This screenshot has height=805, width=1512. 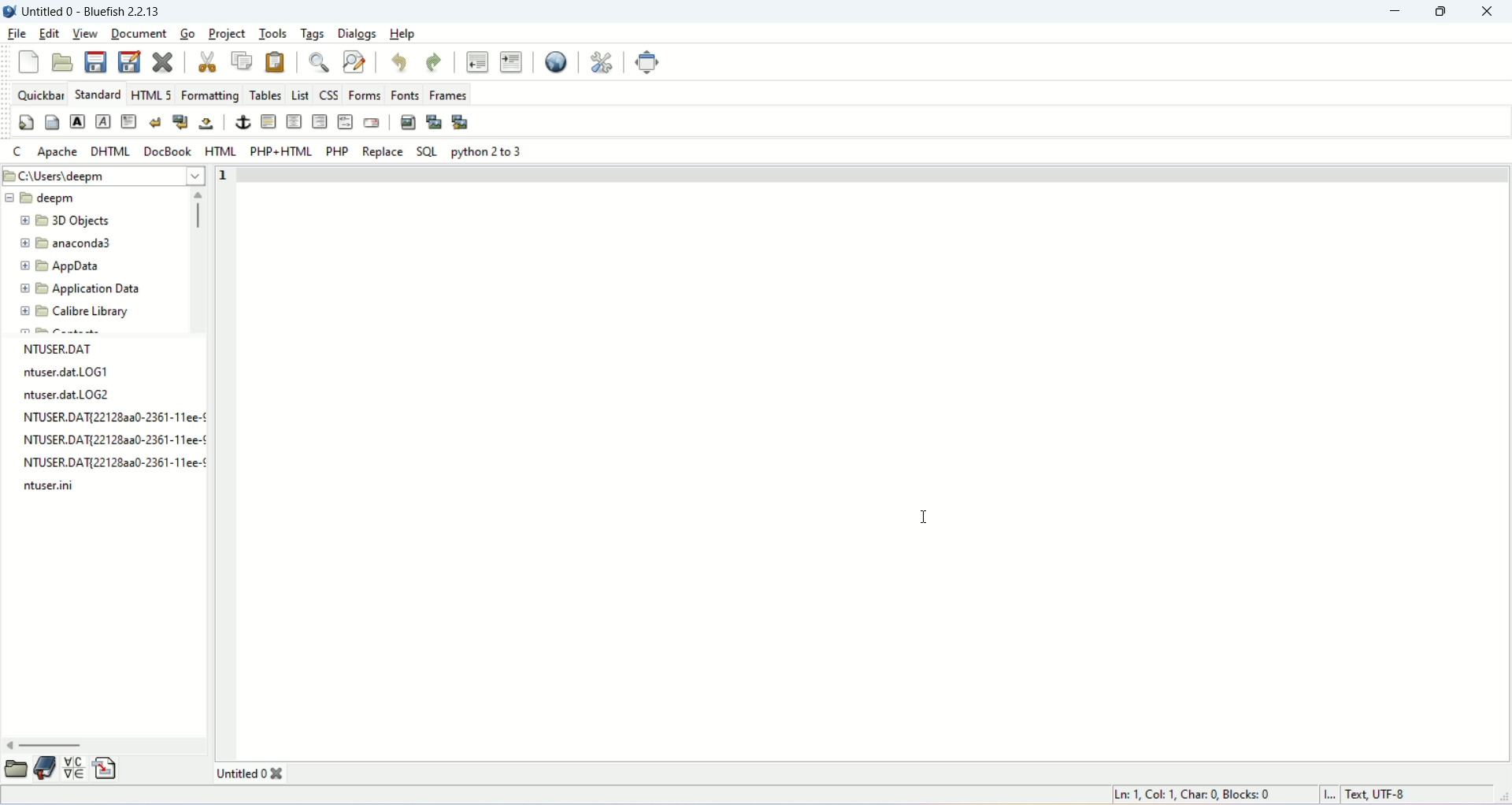 What do you see at coordinates (242, 122) in the screenshot?
I see `anchor` at bounding box center [242, 122].